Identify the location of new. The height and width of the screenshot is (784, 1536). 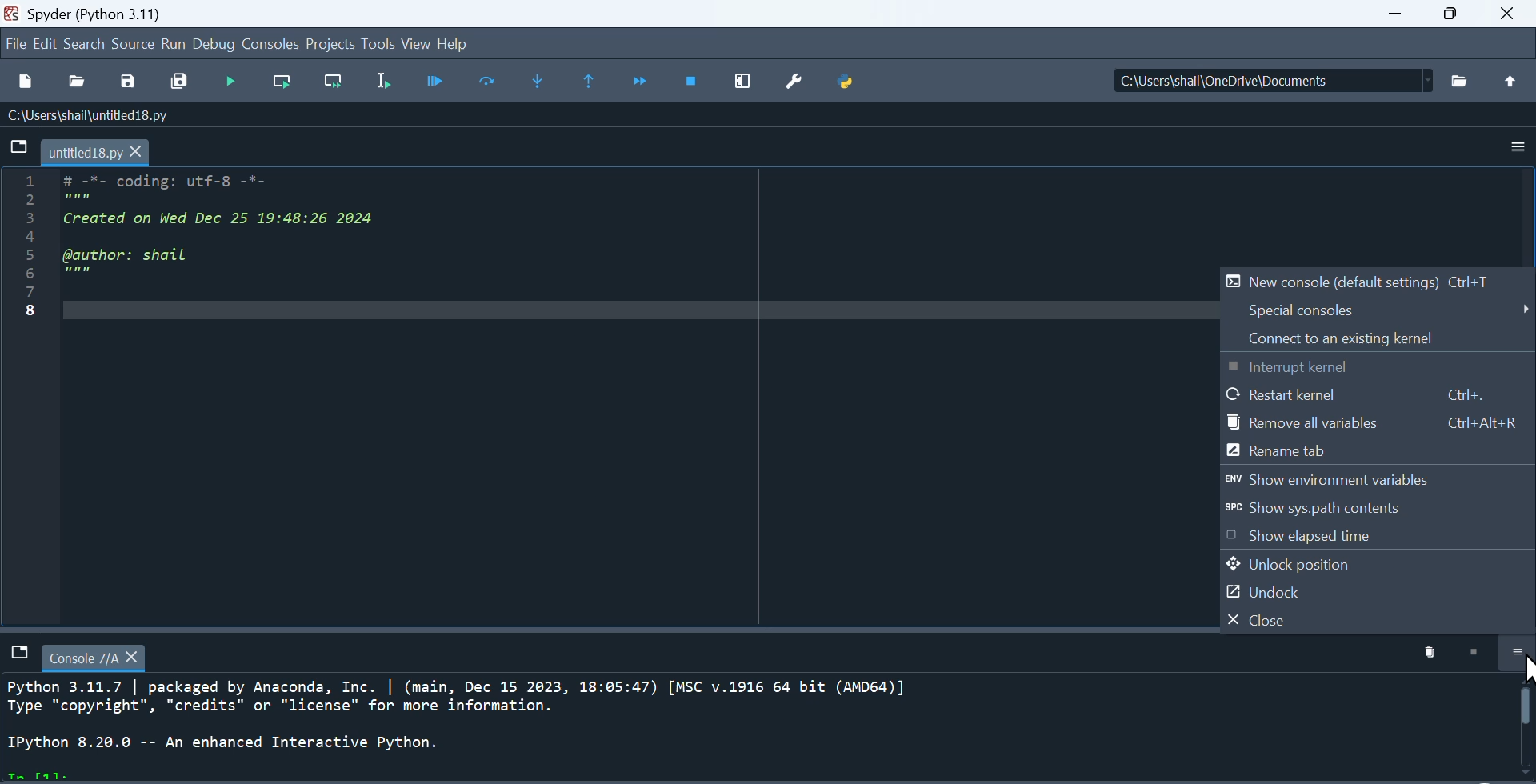
(26, 84).